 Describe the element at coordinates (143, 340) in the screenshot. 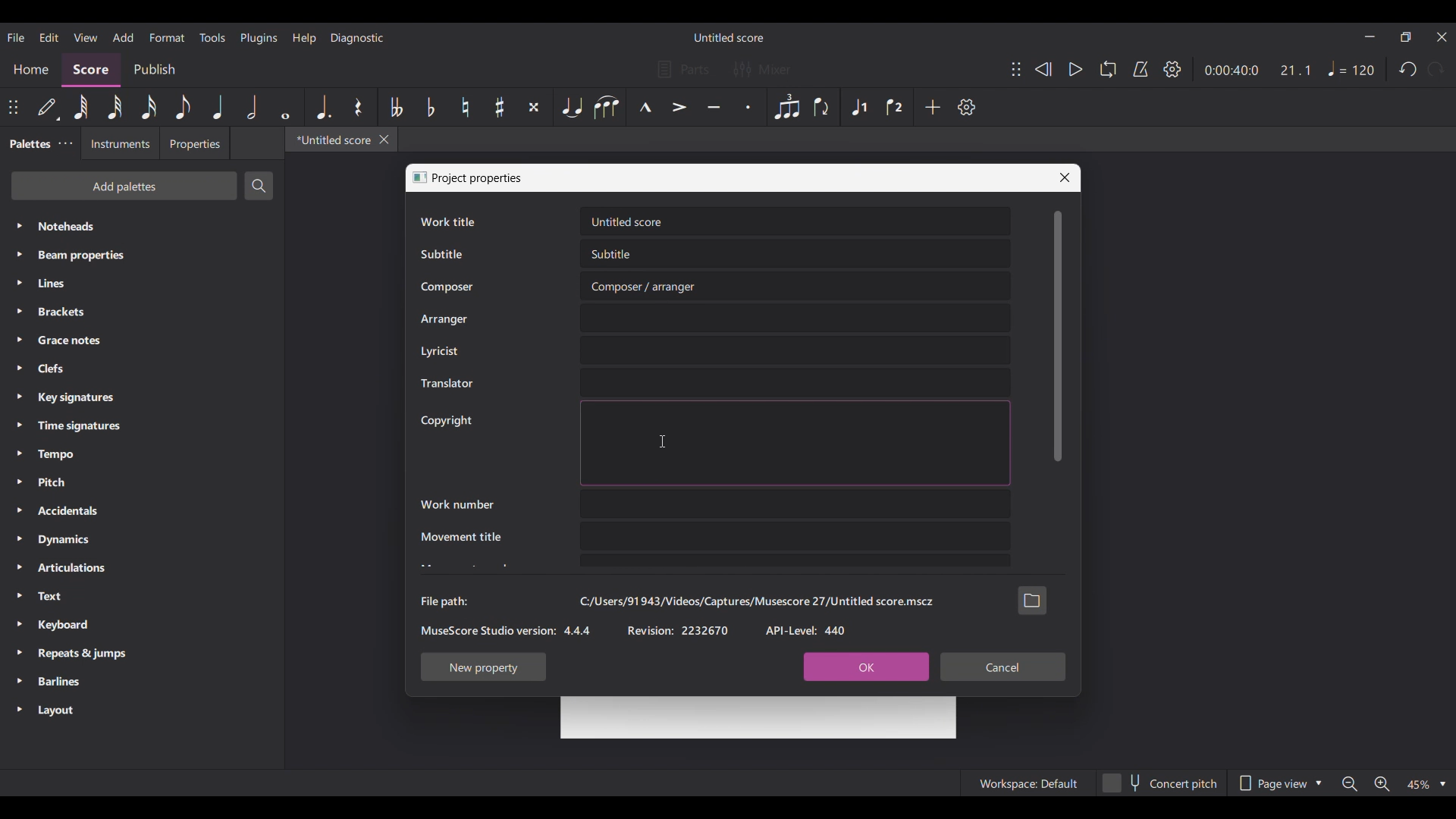

I see `Grace notes` at that location.